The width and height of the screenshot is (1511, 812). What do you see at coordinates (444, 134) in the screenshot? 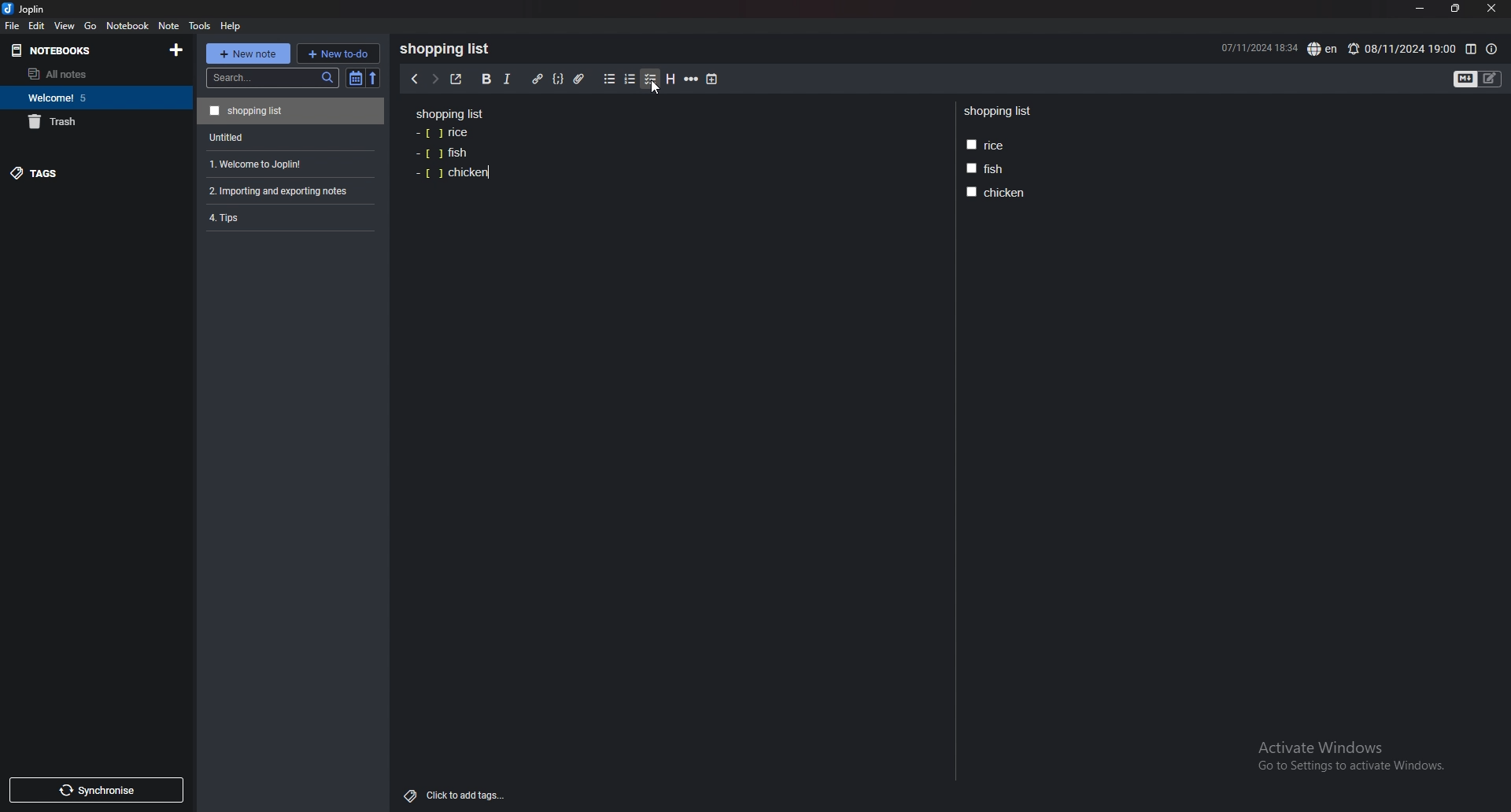
I see `rice` at bounding box center [444, 134].